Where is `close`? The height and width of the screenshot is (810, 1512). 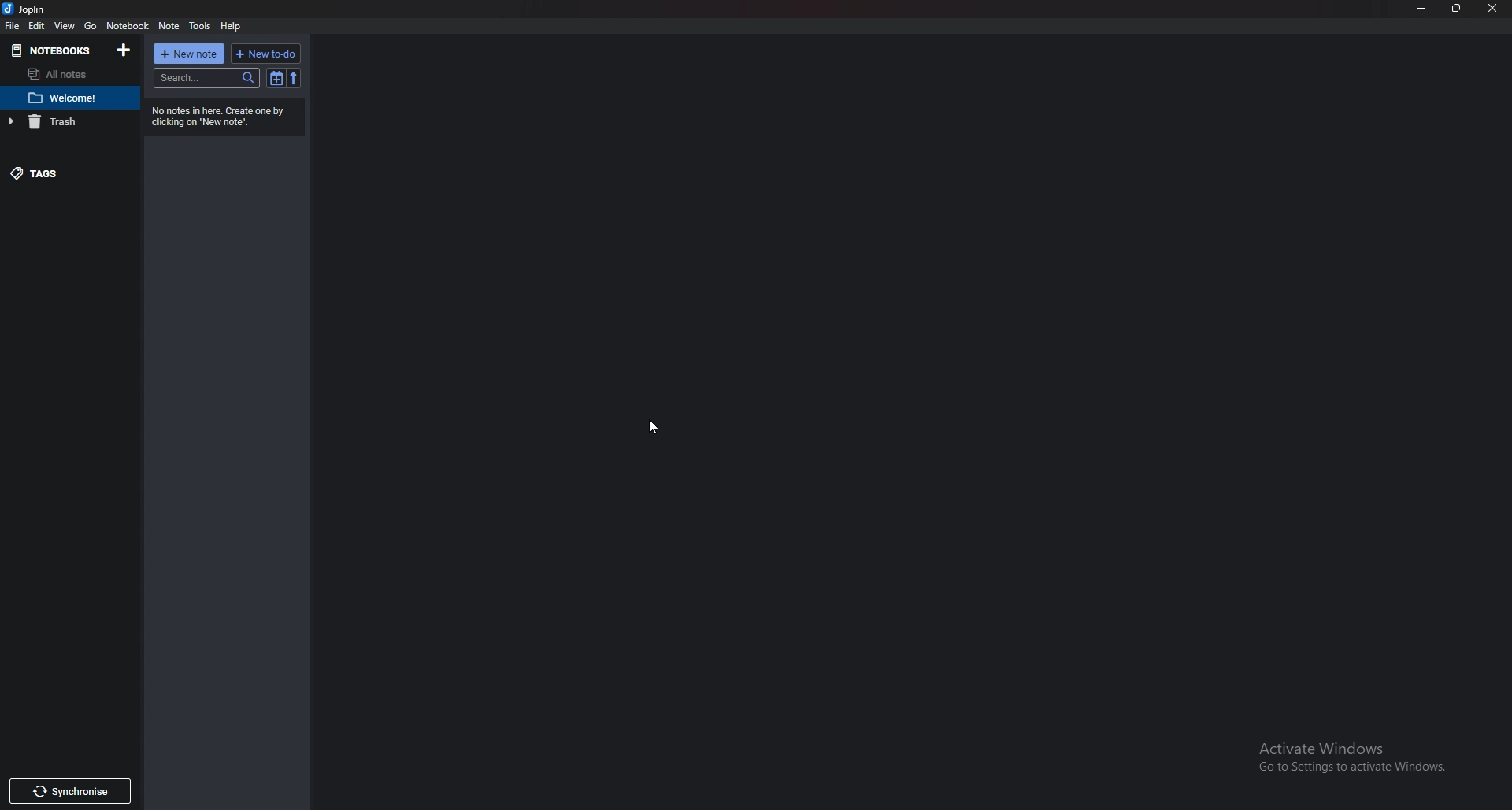
close is located at coordinates (1493, 9).